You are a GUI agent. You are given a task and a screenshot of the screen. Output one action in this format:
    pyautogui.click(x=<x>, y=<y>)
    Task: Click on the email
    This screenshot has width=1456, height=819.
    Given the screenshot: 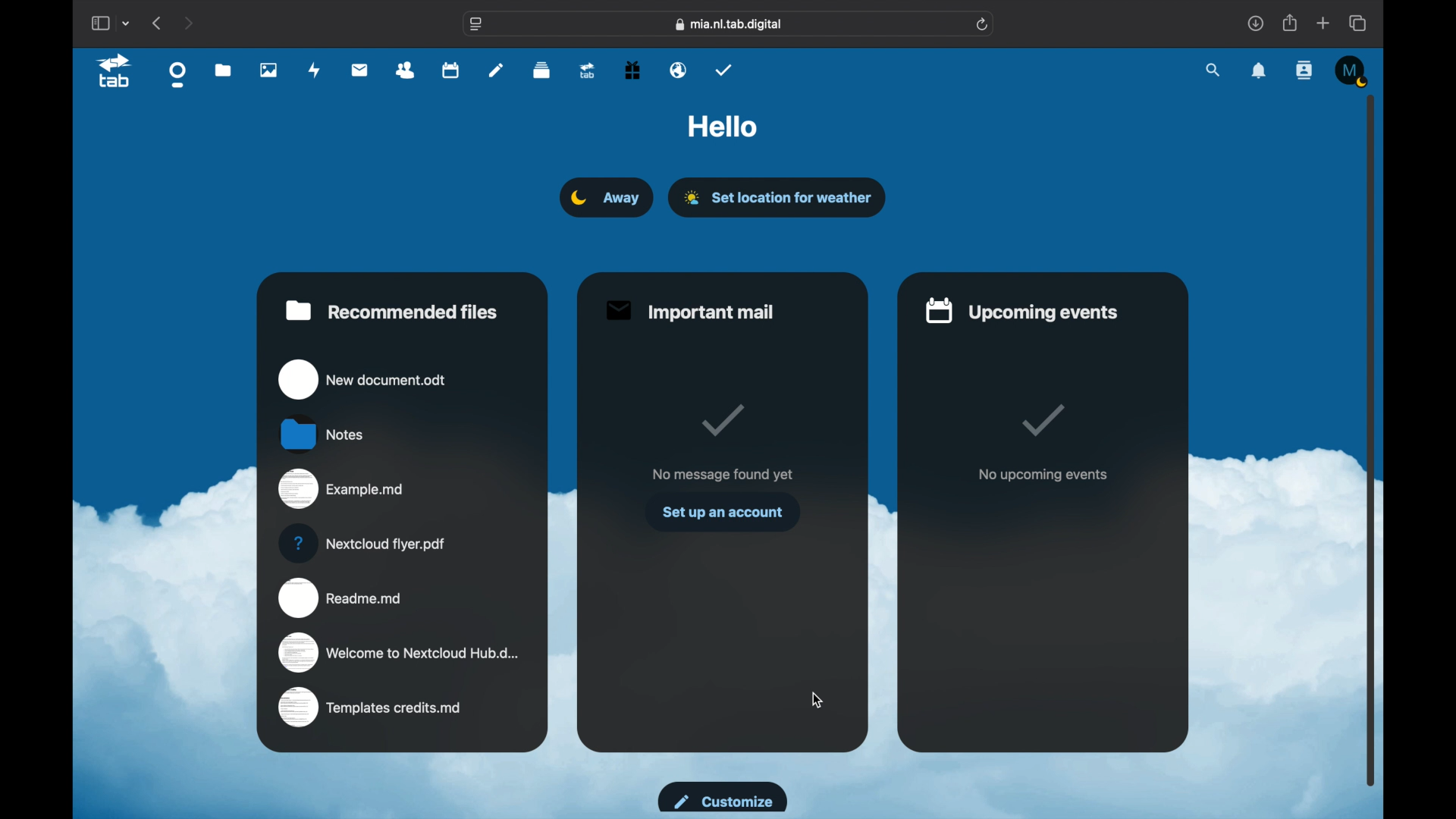 What is the action you would take?
    pyautogui.click(x=679, y=70)
    